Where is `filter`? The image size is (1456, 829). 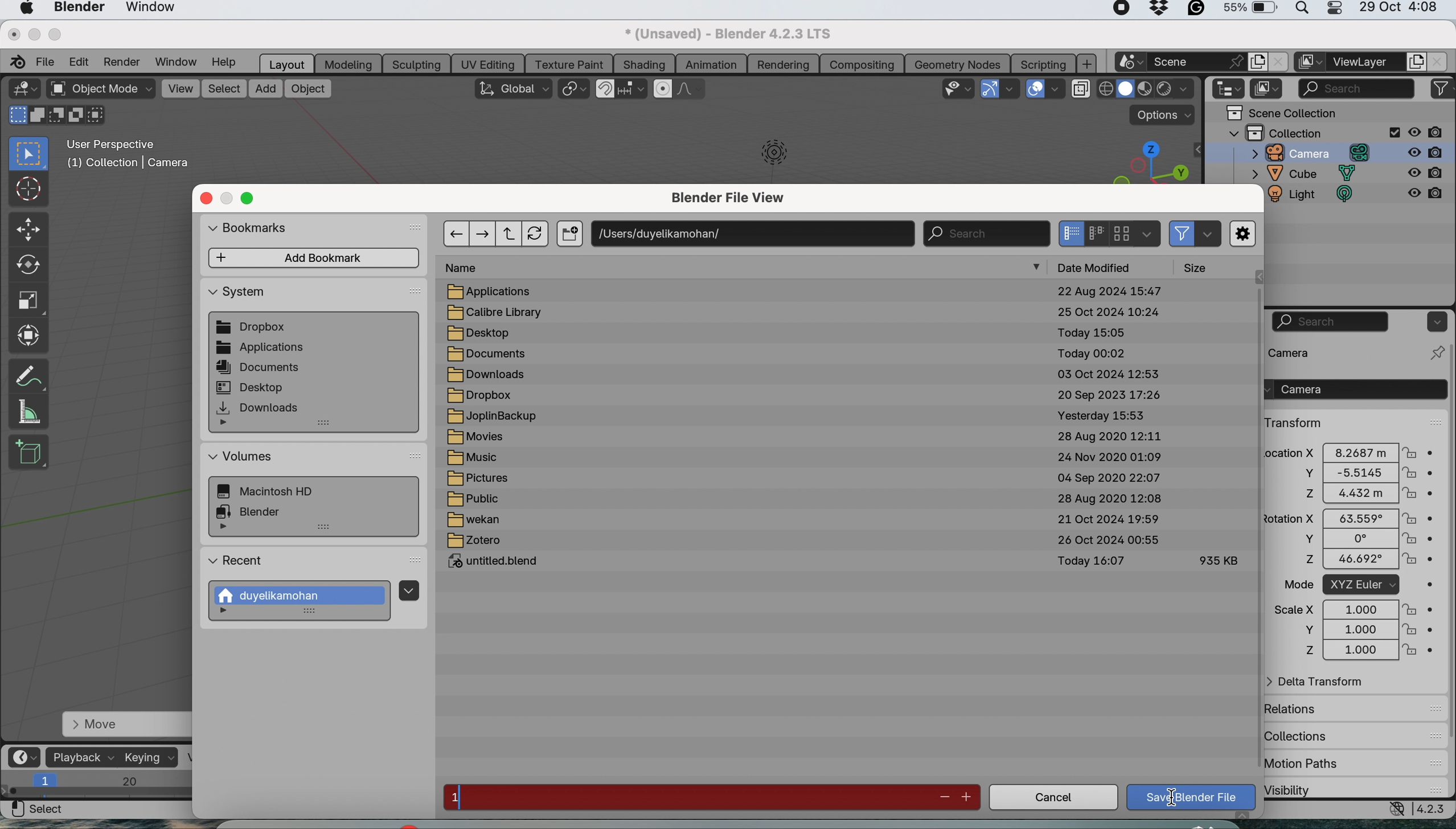
filter is located at coordinates (1183, 233).